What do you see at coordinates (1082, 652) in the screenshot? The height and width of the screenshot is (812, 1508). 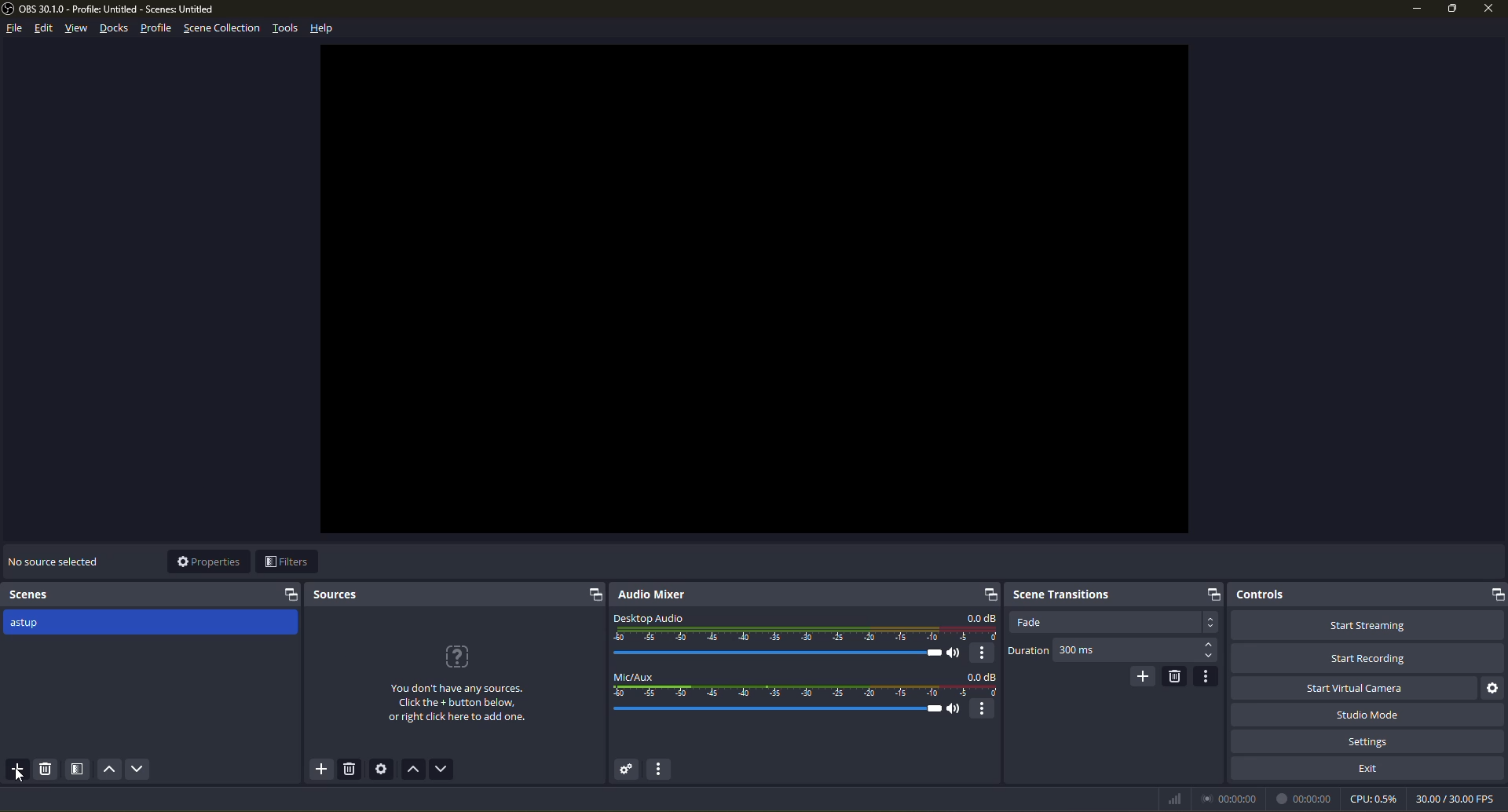 I see `300 ms` at bounding box center [1082, 652].